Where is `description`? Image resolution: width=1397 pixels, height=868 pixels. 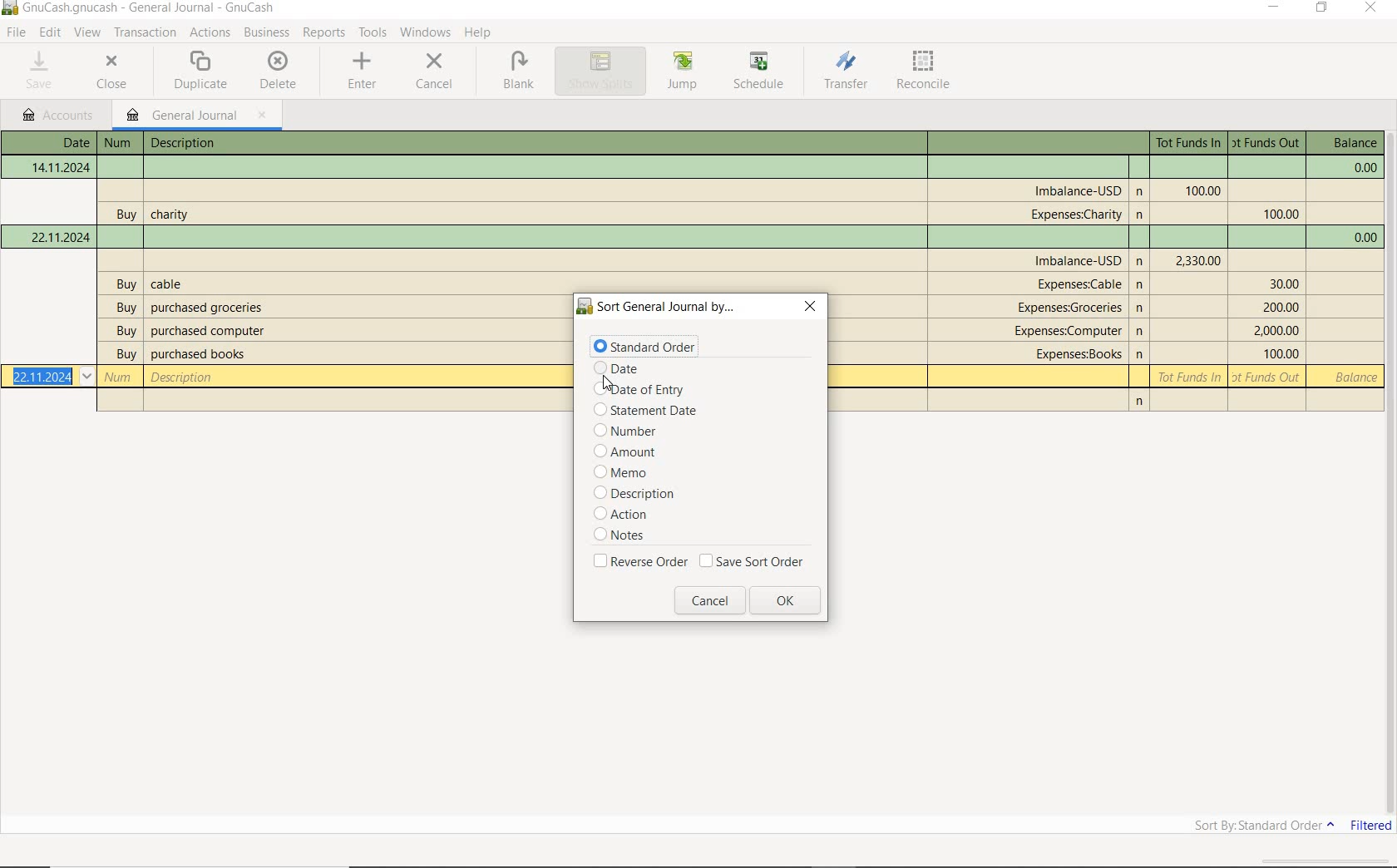
description is located at coordinates (168, 284).